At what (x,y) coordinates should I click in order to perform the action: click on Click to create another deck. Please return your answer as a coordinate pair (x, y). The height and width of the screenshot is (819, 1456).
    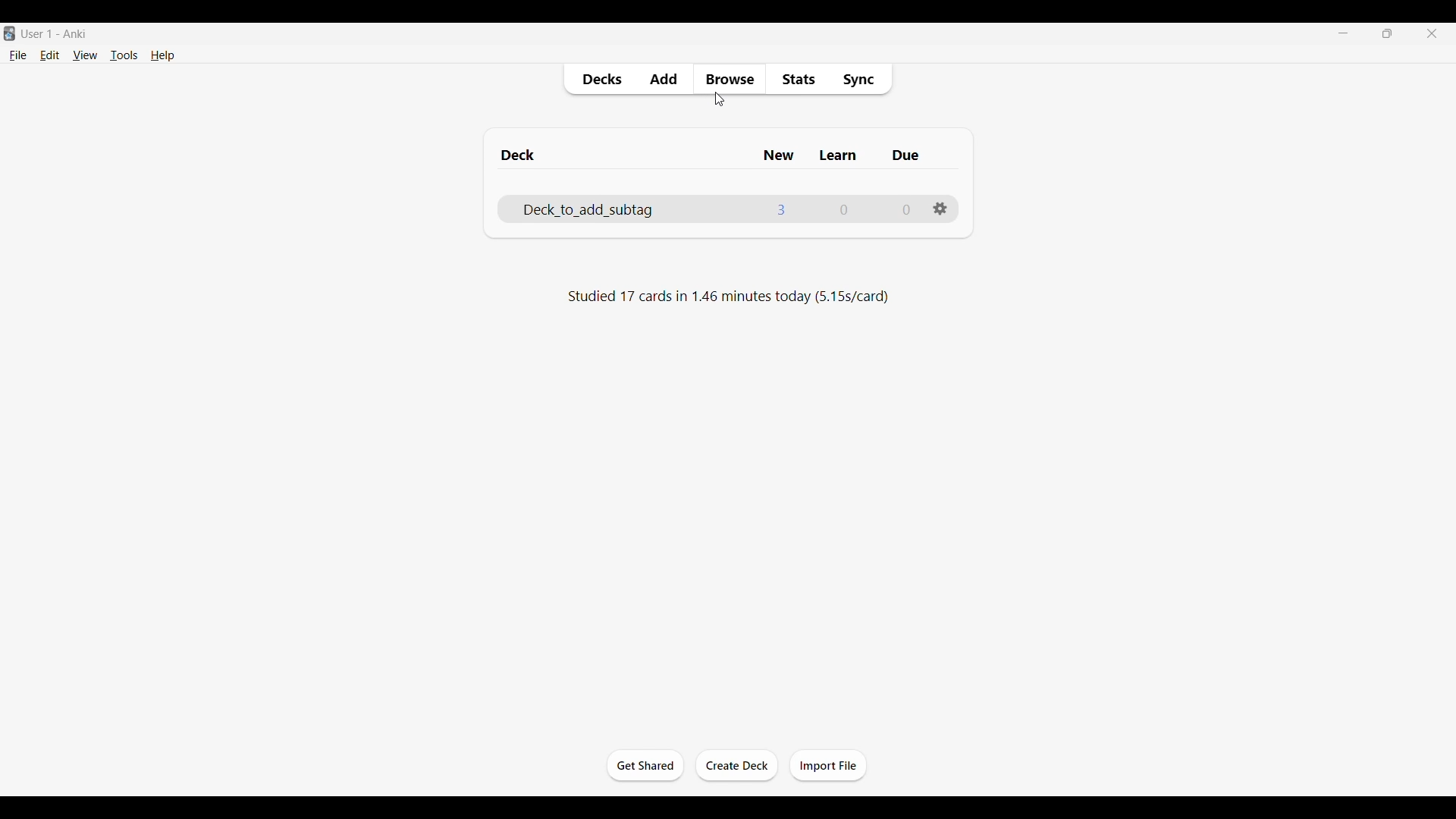
    Looking at the image, I should click on (737, 765).